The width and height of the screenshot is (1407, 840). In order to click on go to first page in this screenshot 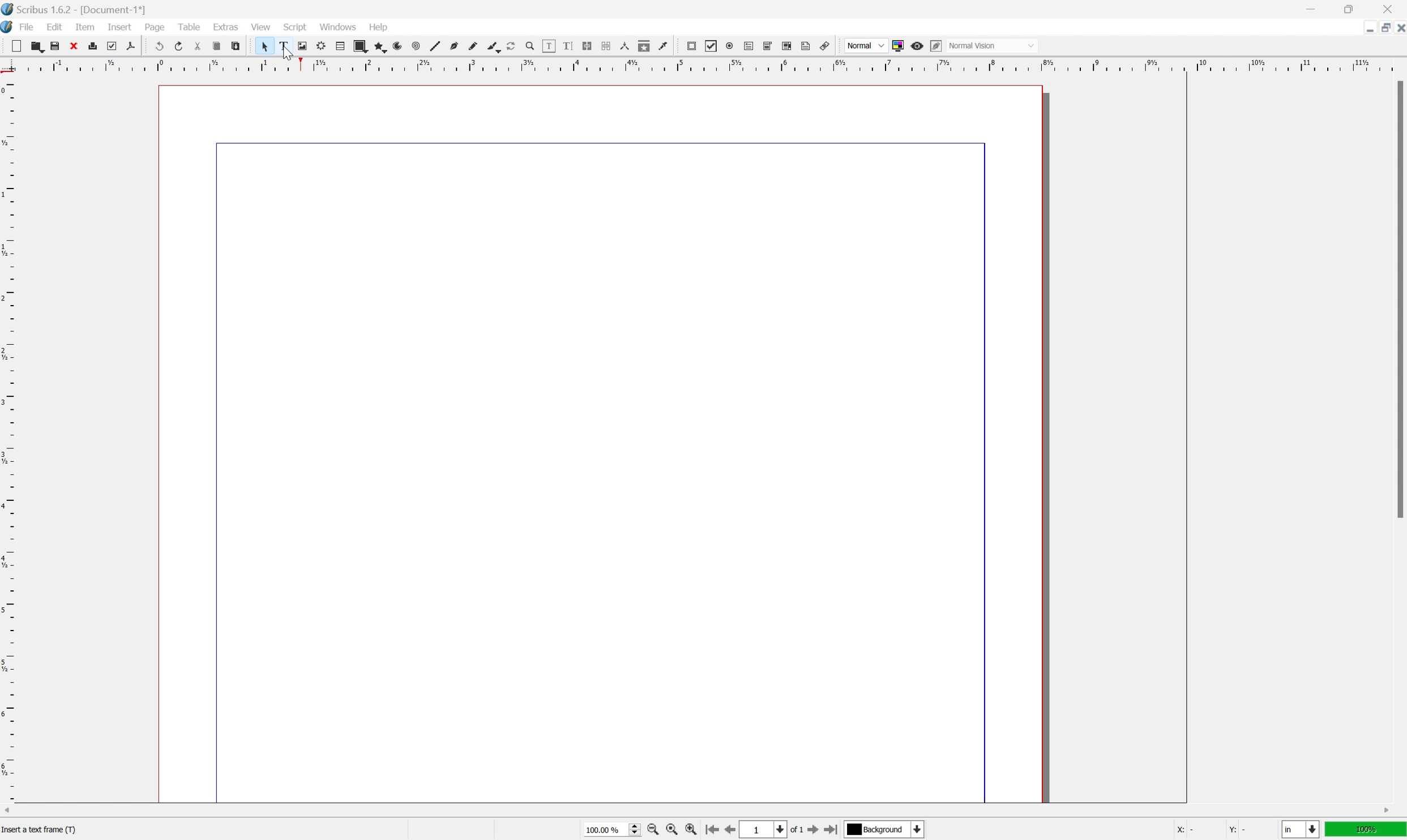, I will do `click(713, 830)`.